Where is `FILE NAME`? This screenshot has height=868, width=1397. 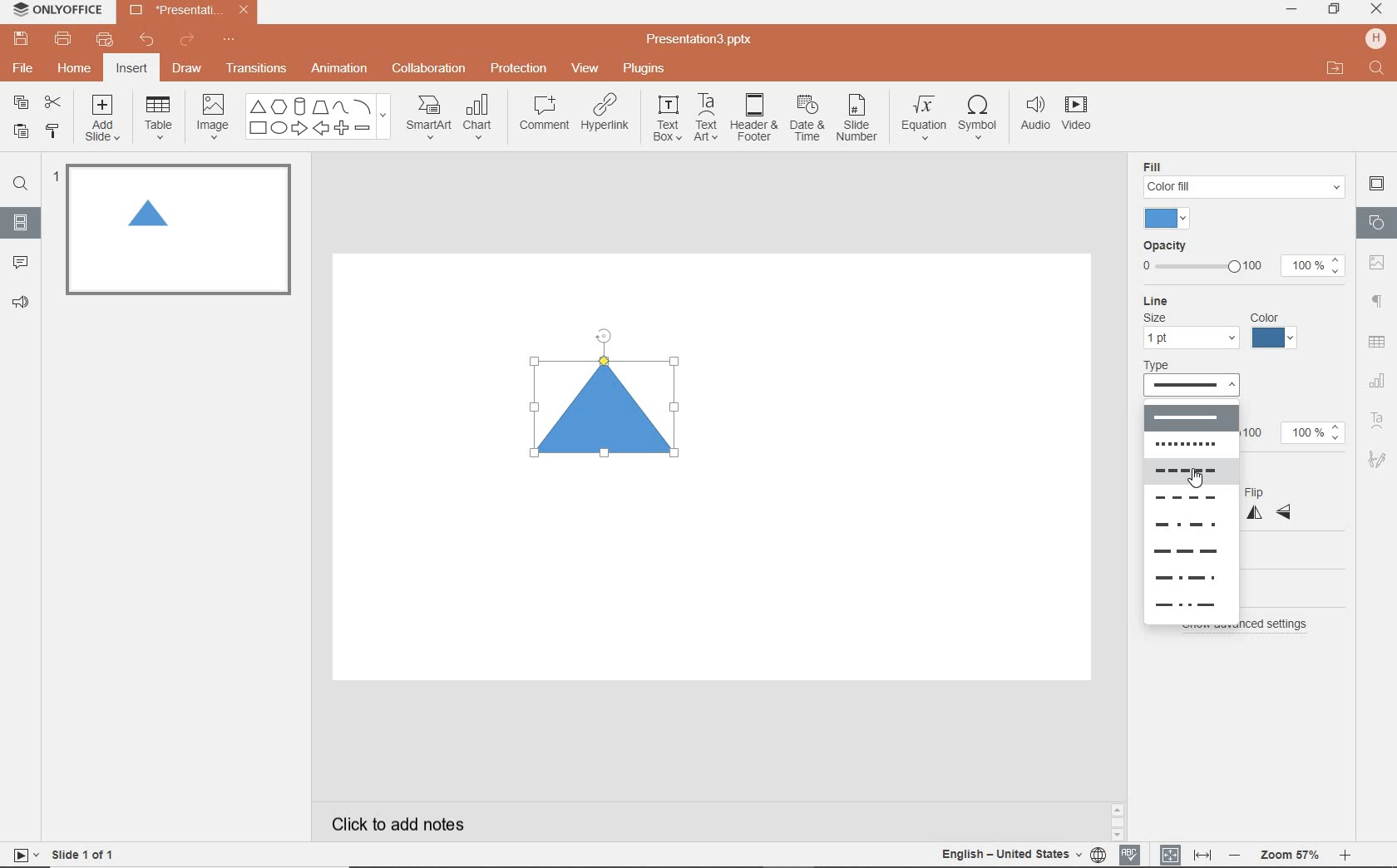
FILE NAME is located at coordinates (702, 40).